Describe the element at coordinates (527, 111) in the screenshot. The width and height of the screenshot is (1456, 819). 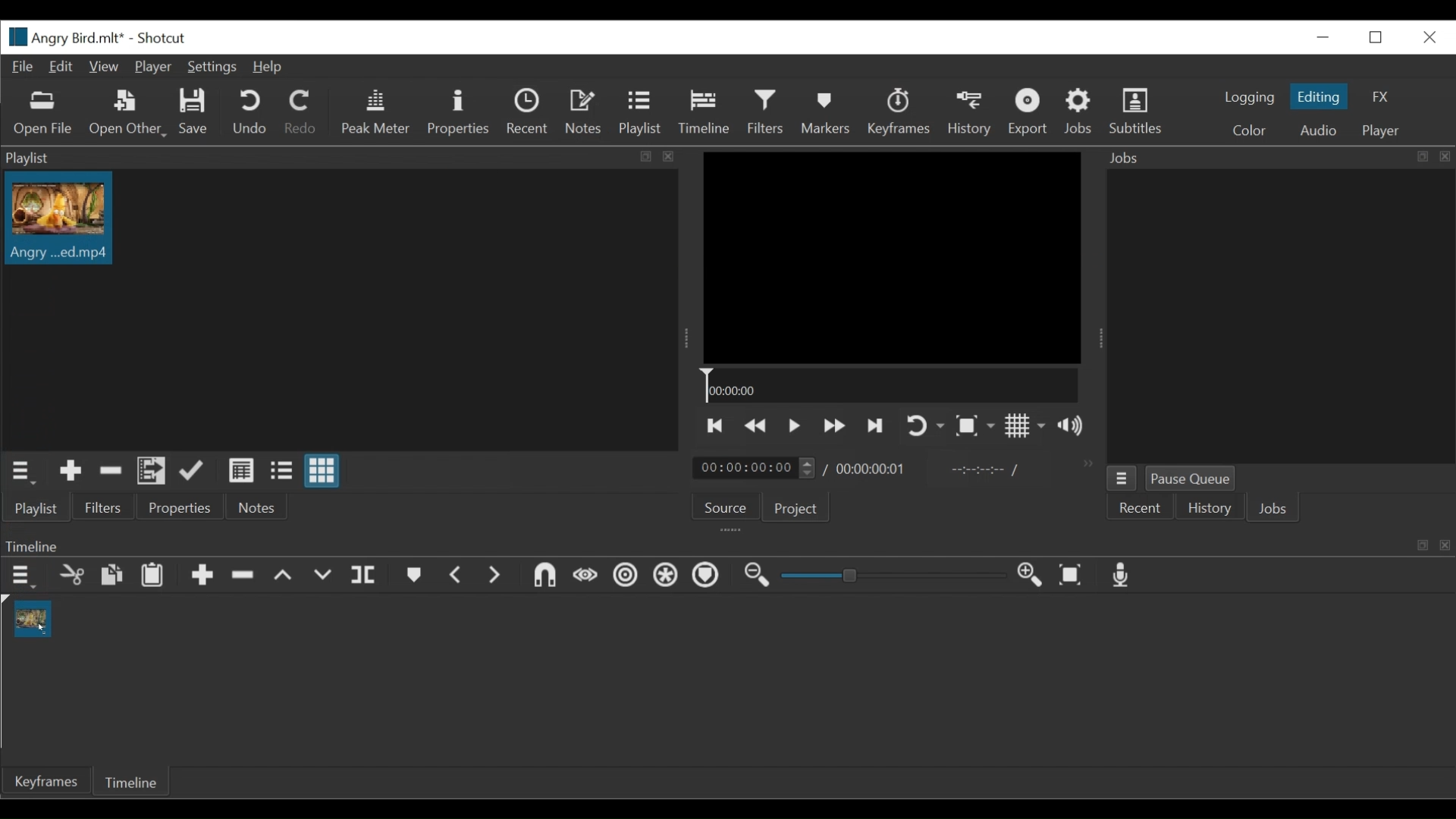
I see `Recent` at that location.